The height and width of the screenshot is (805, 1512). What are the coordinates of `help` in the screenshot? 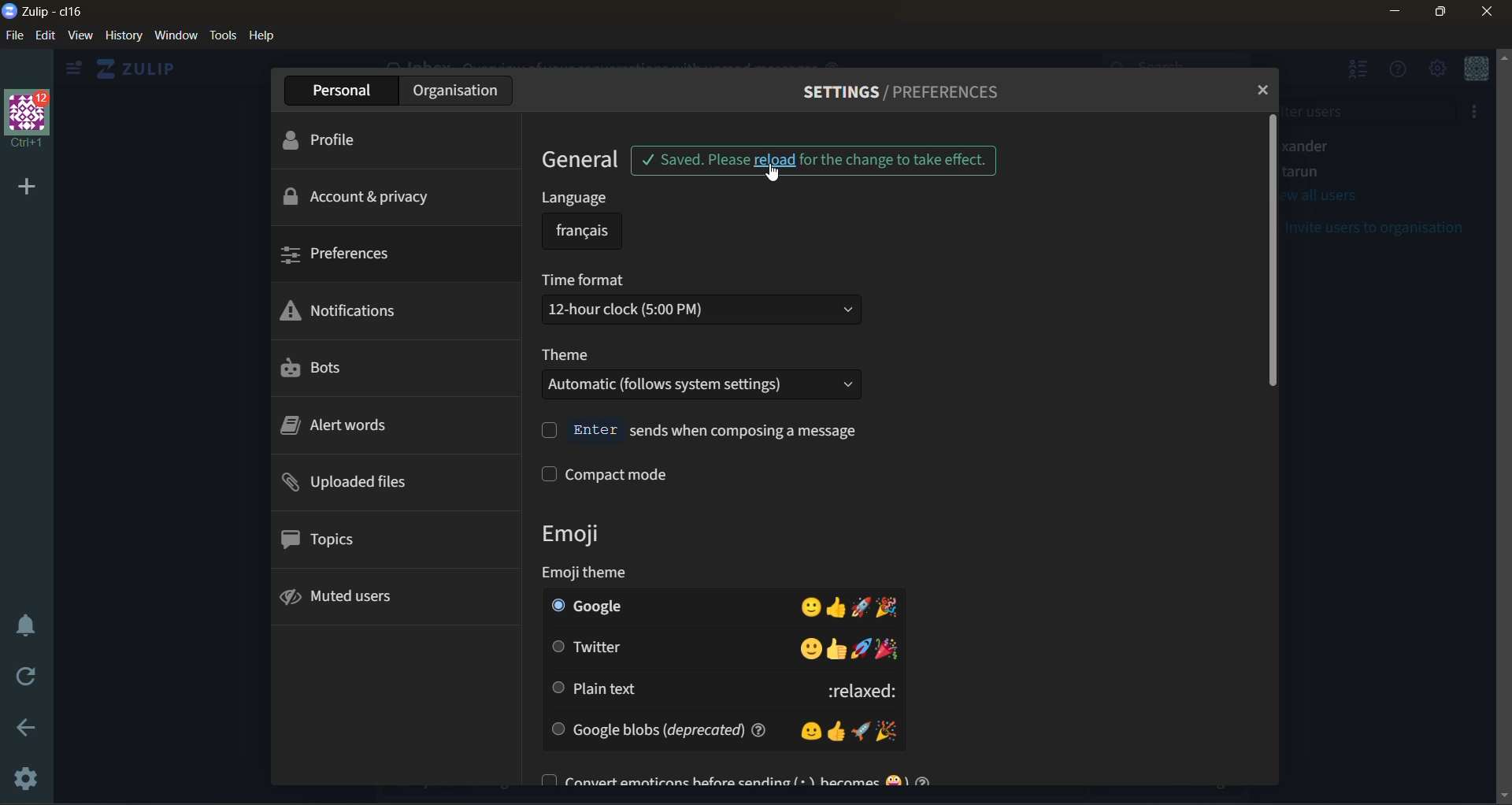 It's located at (267, 37).